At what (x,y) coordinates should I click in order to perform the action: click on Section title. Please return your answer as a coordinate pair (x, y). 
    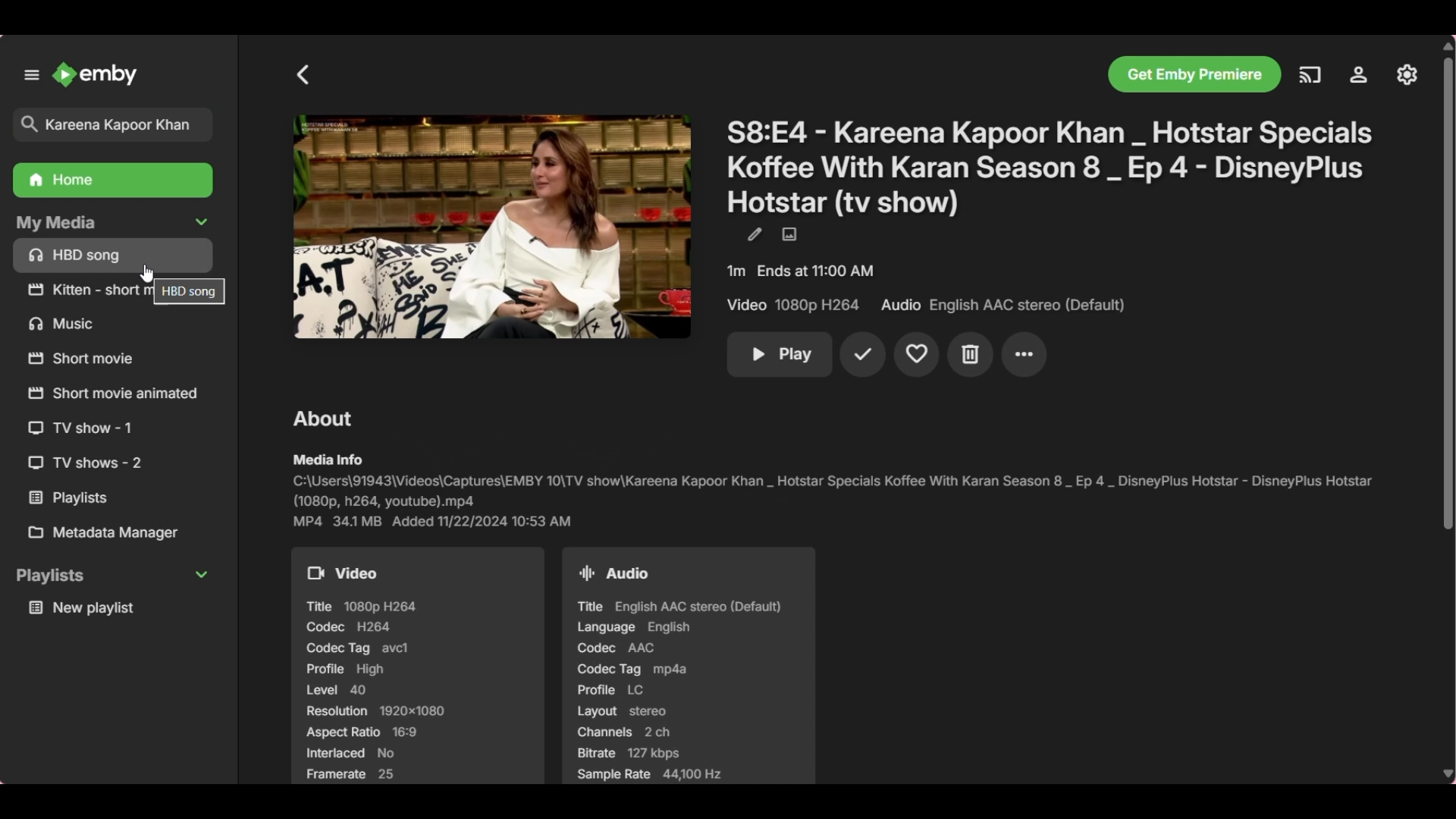
    Looking at the image, I should click on (322, 419).